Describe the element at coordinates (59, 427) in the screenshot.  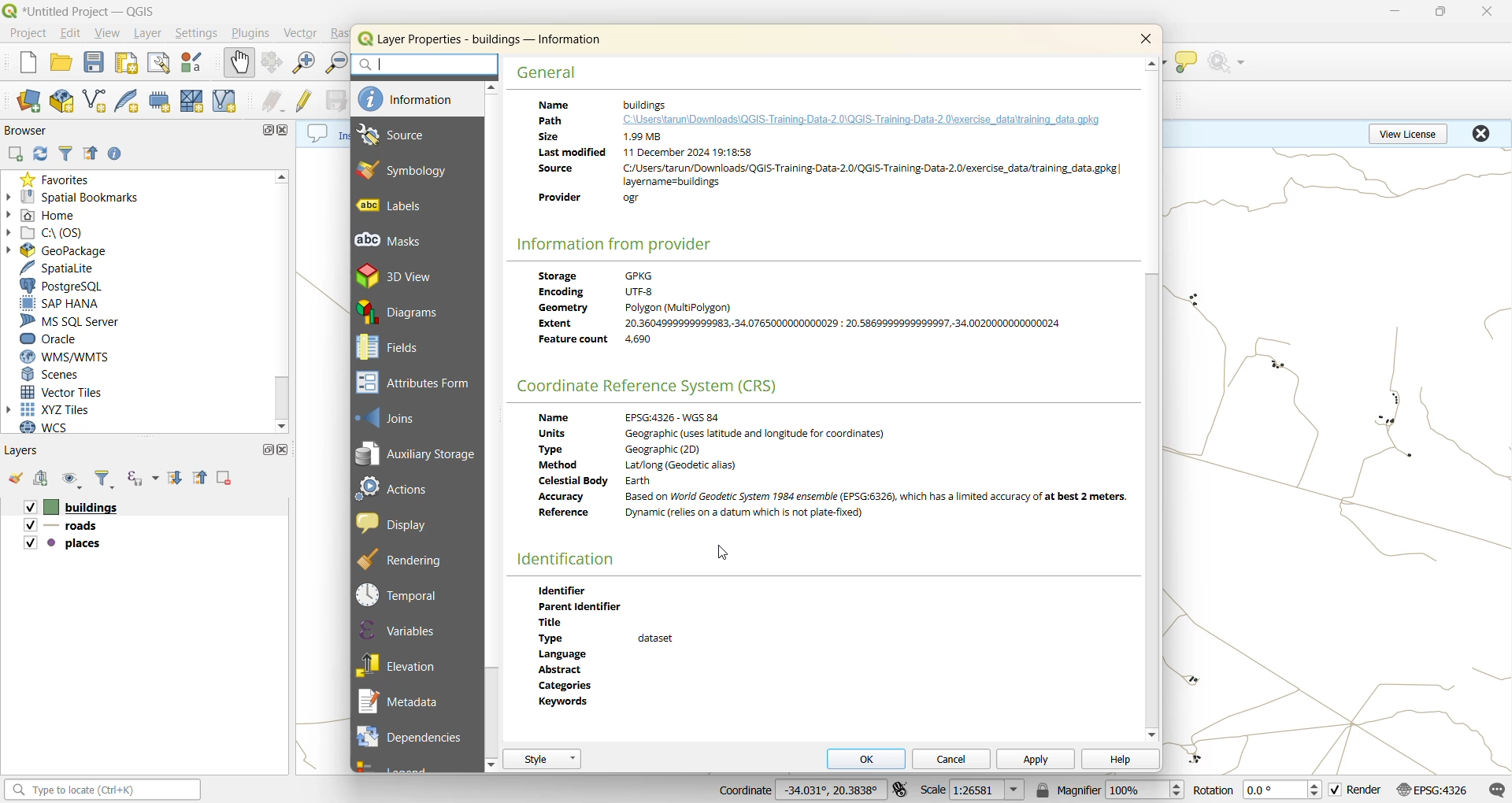
I see `wcs` at that location.